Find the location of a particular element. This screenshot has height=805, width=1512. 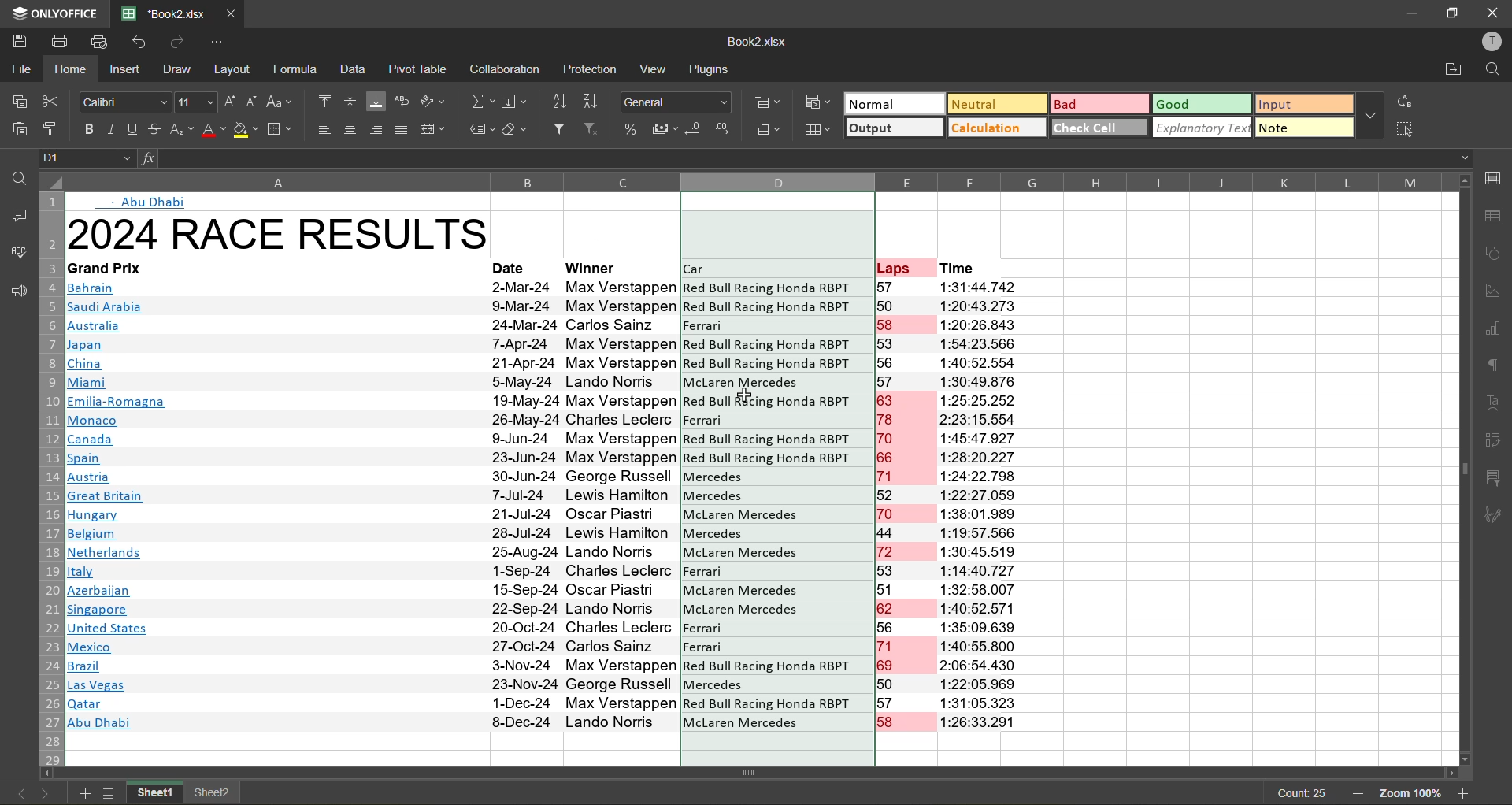

|Spain 23-Jun-24 Max Verstappen Red Bull Racing Honda RBPT 66 1:28:20.227 is located at coordinates (543, 458).